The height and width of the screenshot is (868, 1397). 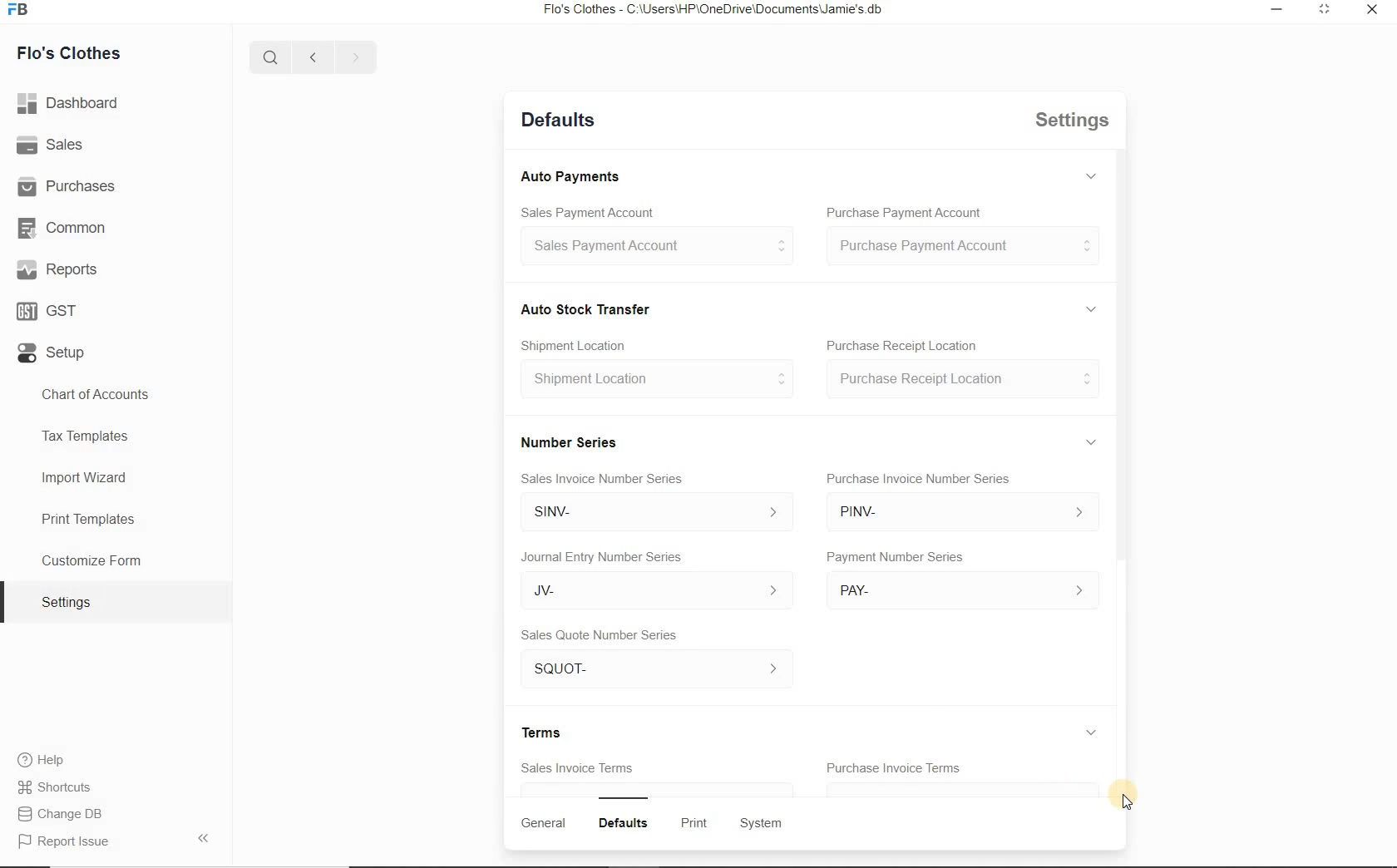 I want to click on Purchase Receipt Location, so click(x=925, y=379).